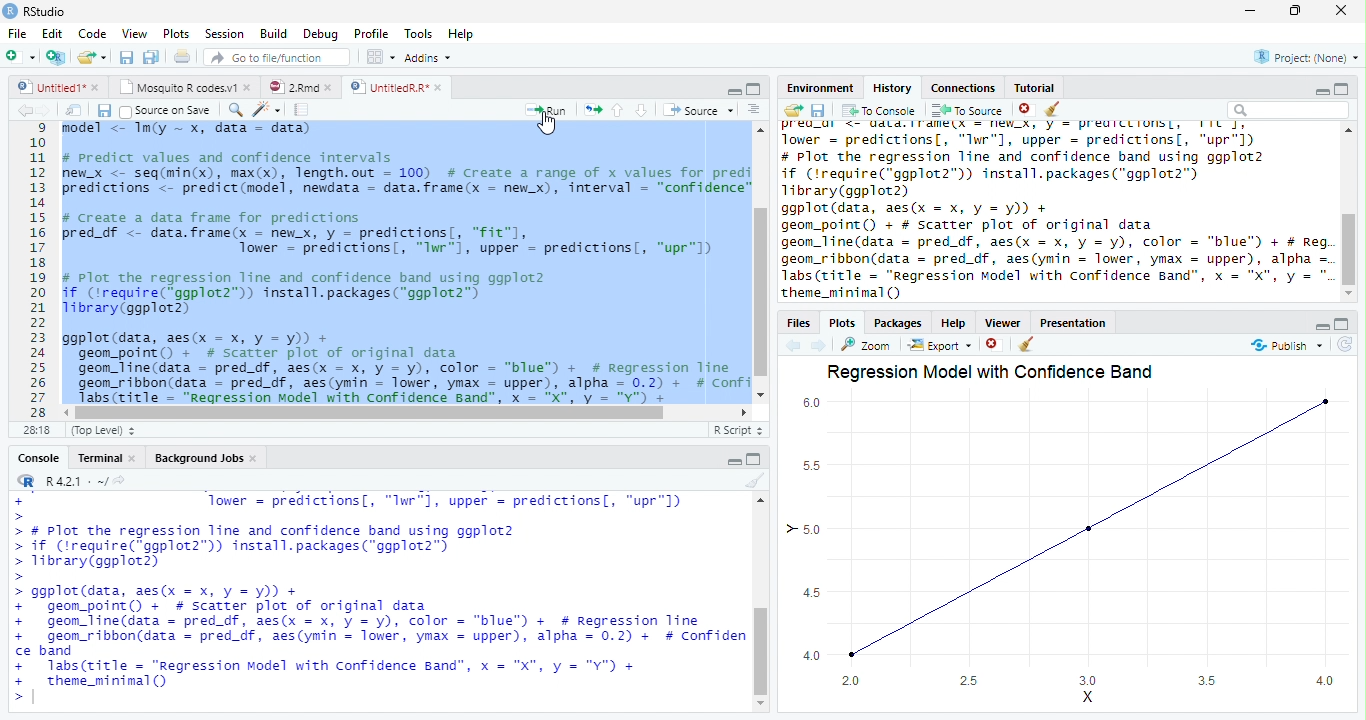 The image size is (1366, 720). I want to click on Zoom, so click(865, 346).